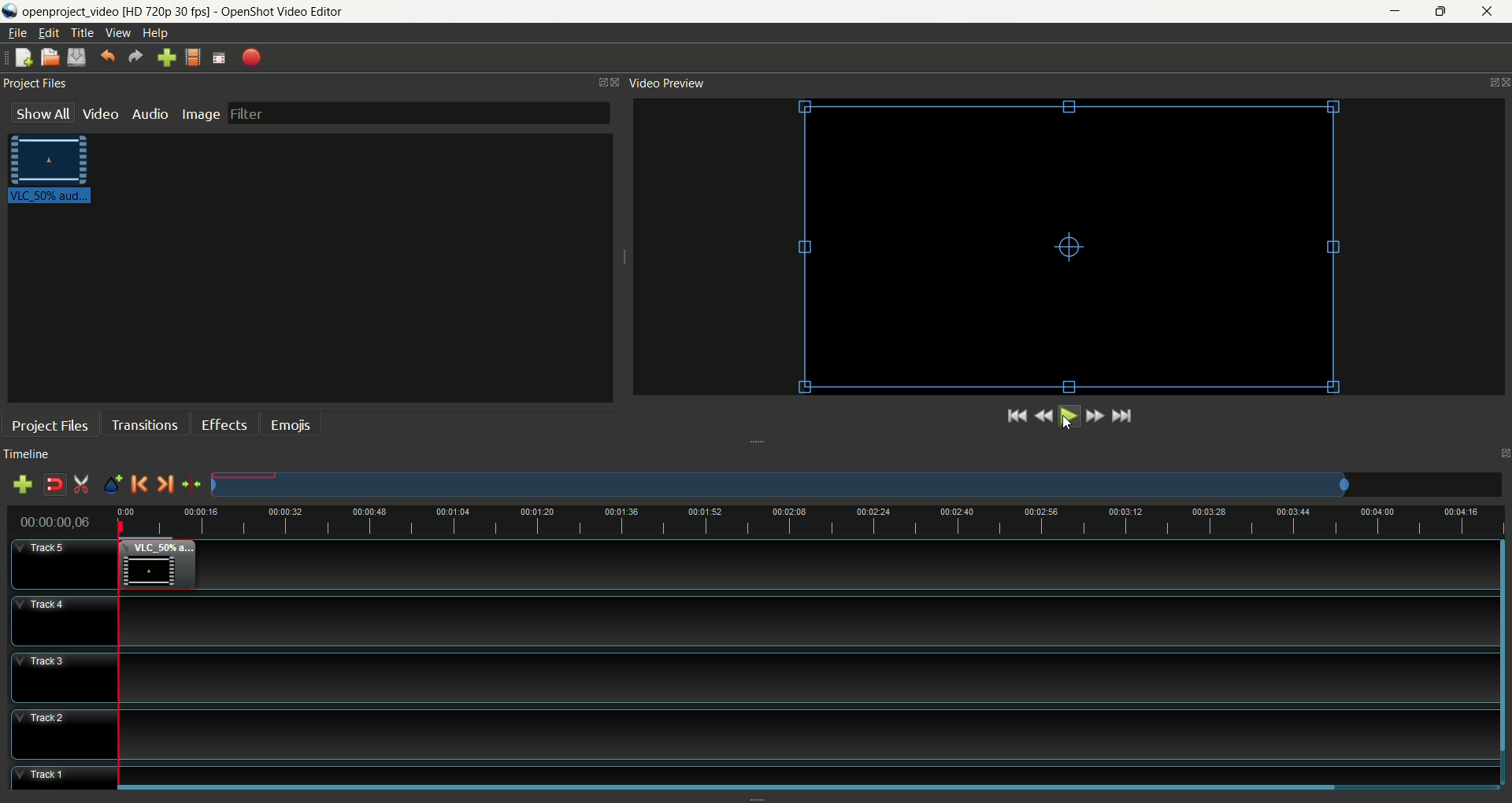 This screenshot has height=803, width=1512. Describe the element at coordinates (1122, 416) in the screenshot. I see `jump to the end` at that location.